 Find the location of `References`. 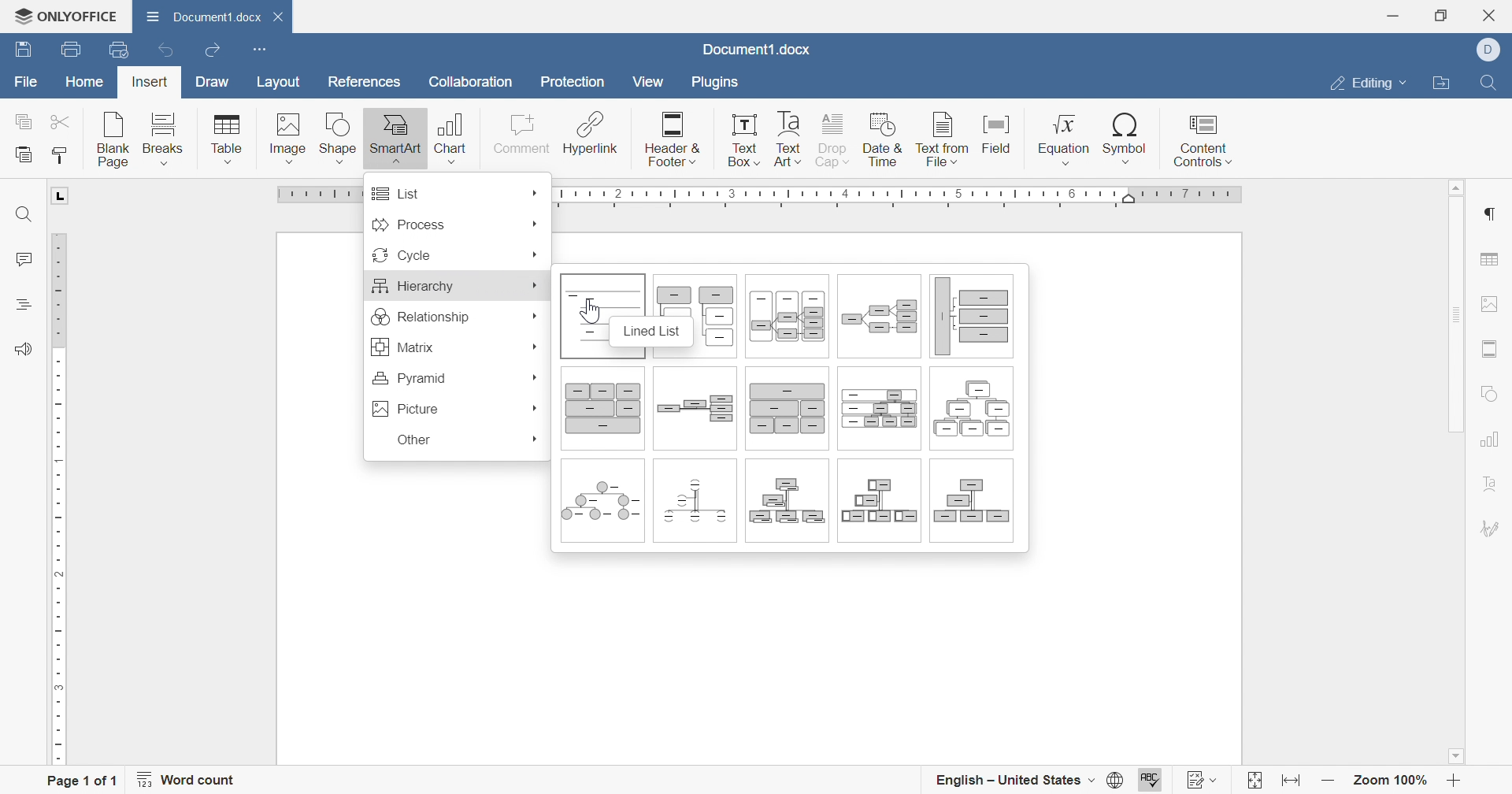

References is located at coordinates (362, 83).